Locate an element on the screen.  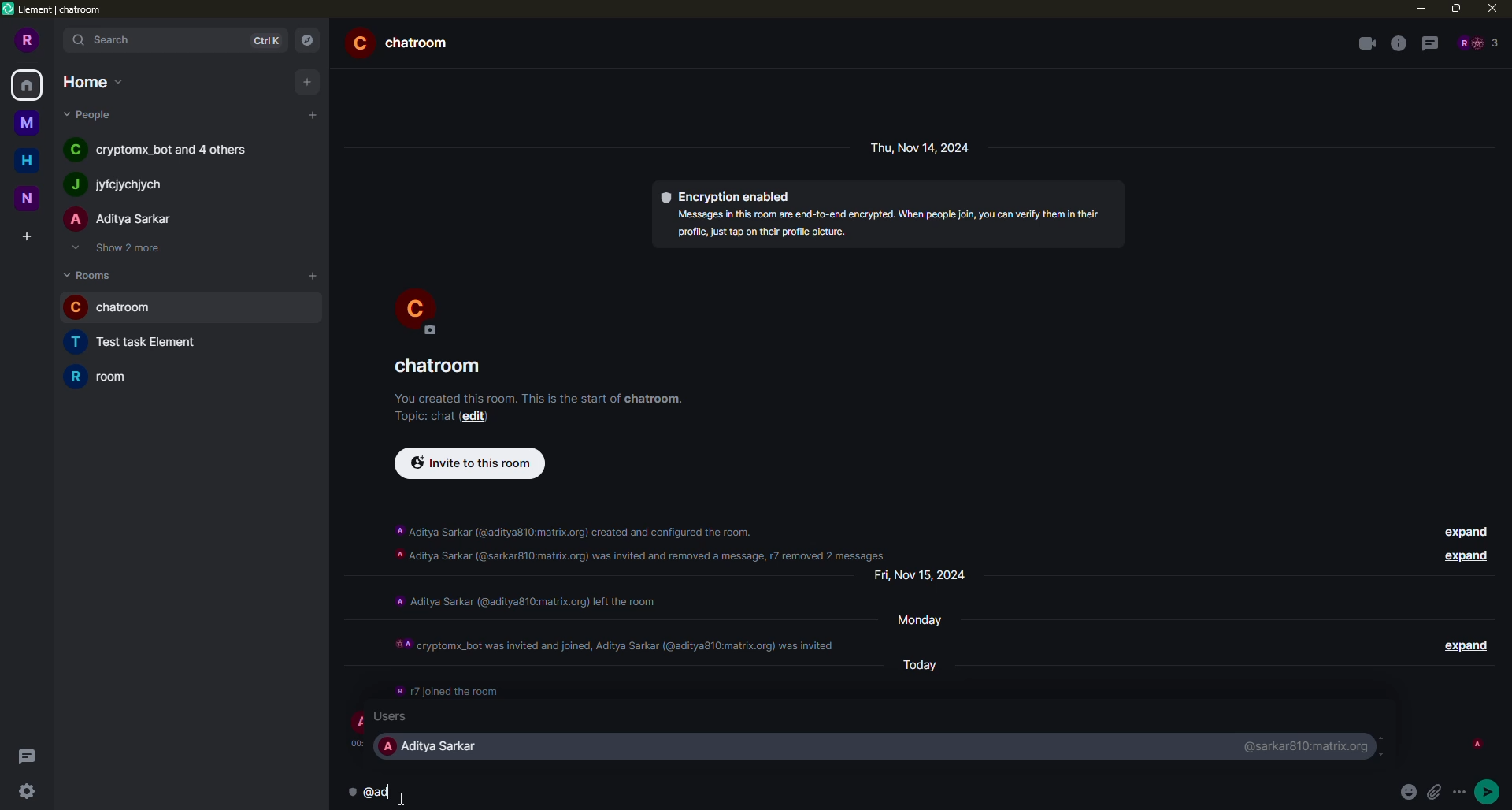
attach is located at coordinates (1439, 793).